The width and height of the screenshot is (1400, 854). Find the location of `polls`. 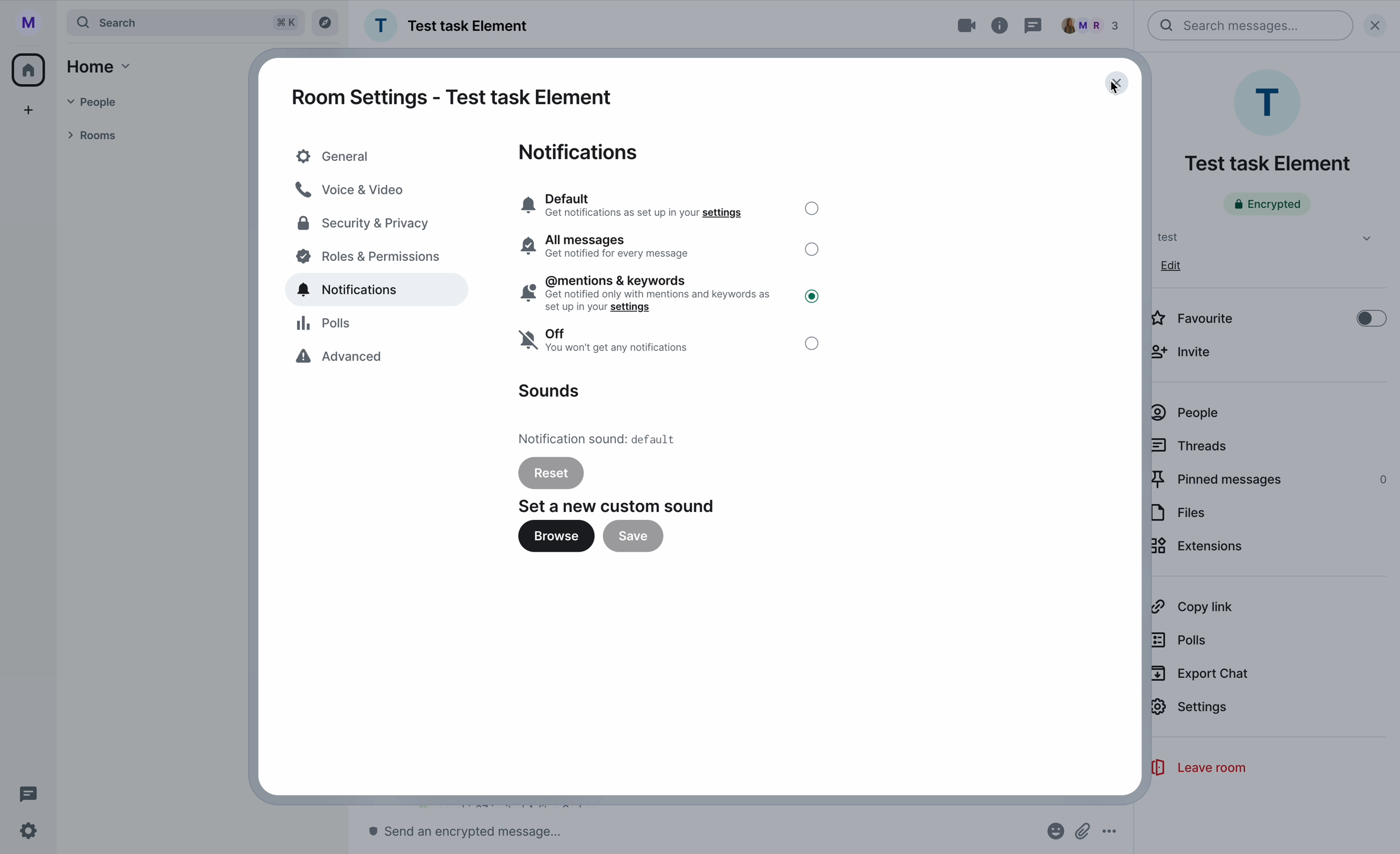

polls is located at coordinates (328, 324).